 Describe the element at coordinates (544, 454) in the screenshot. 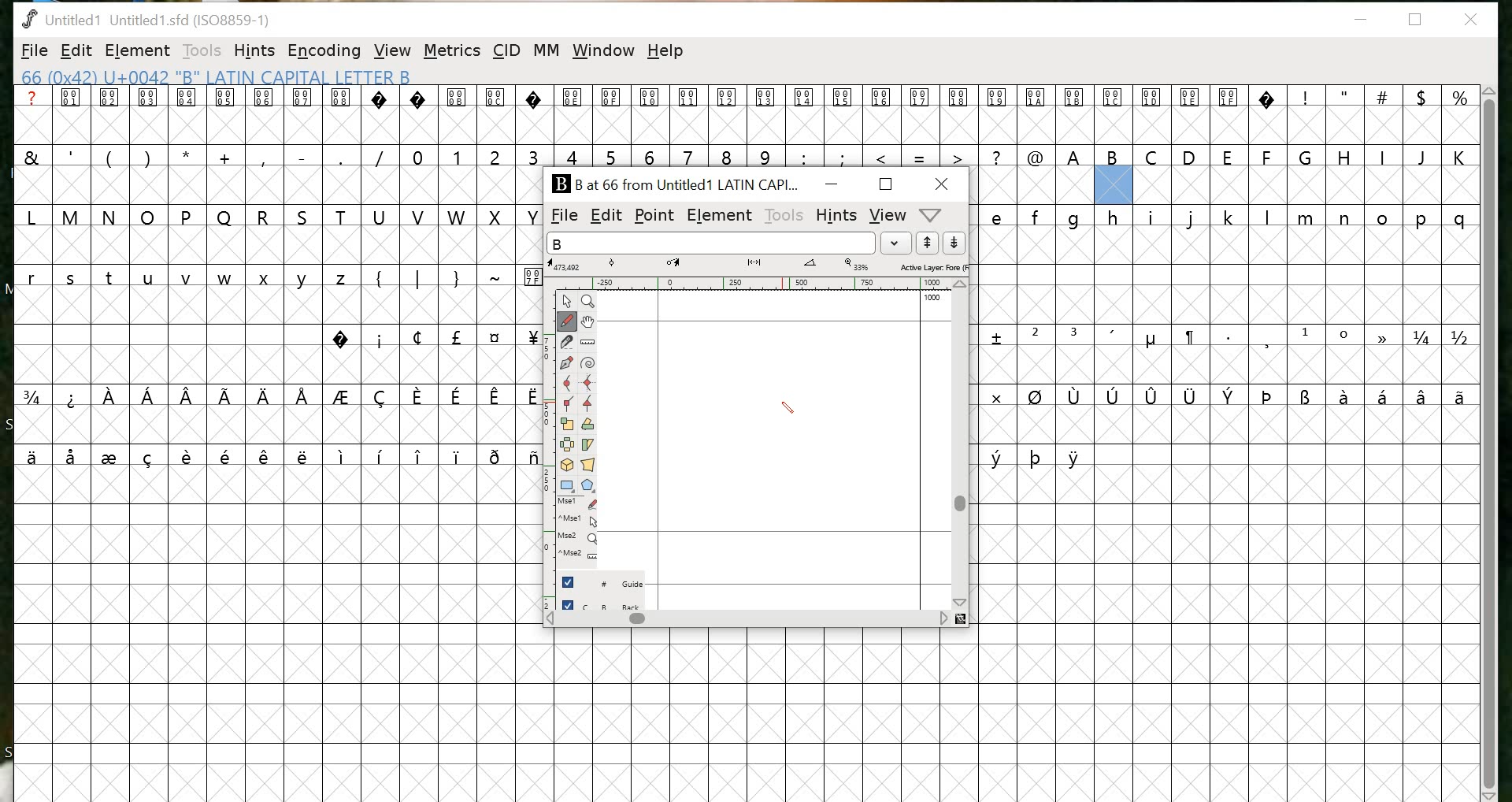

I see `ruler` at that location.